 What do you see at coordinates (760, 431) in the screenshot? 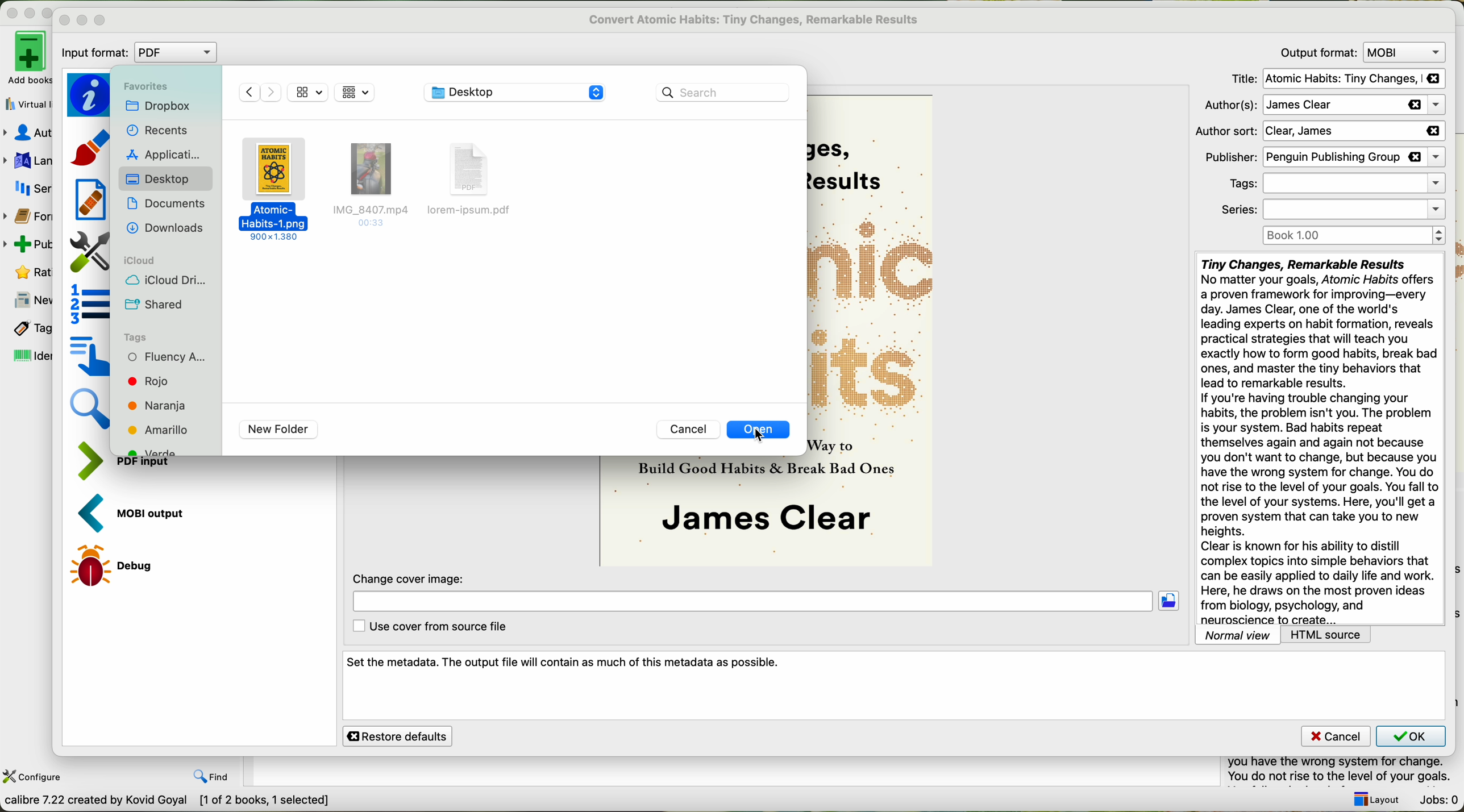
I see `click on open` at bounding box center [760, 431].